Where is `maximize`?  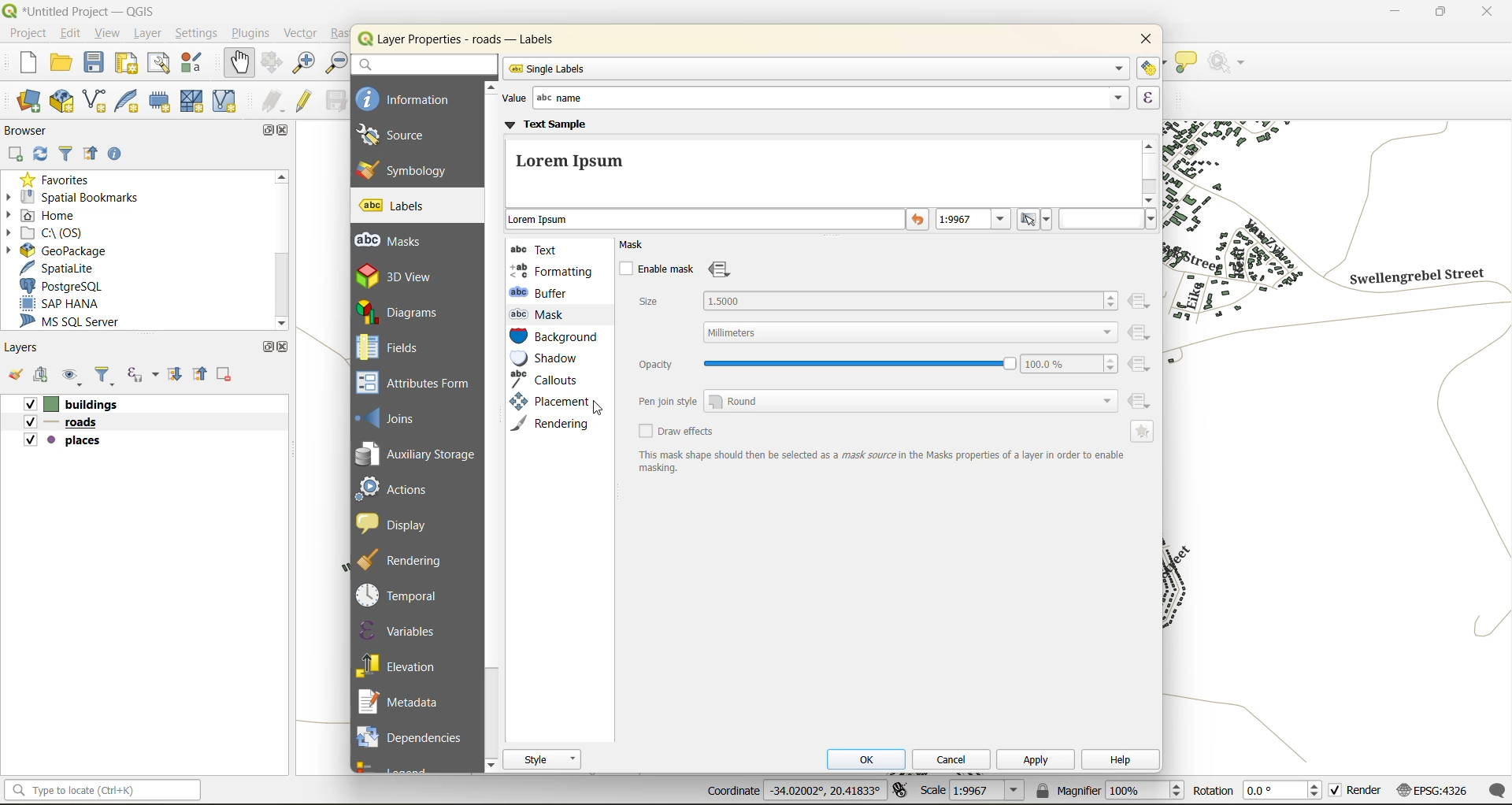 maximize is located at coordinates (265, 347).